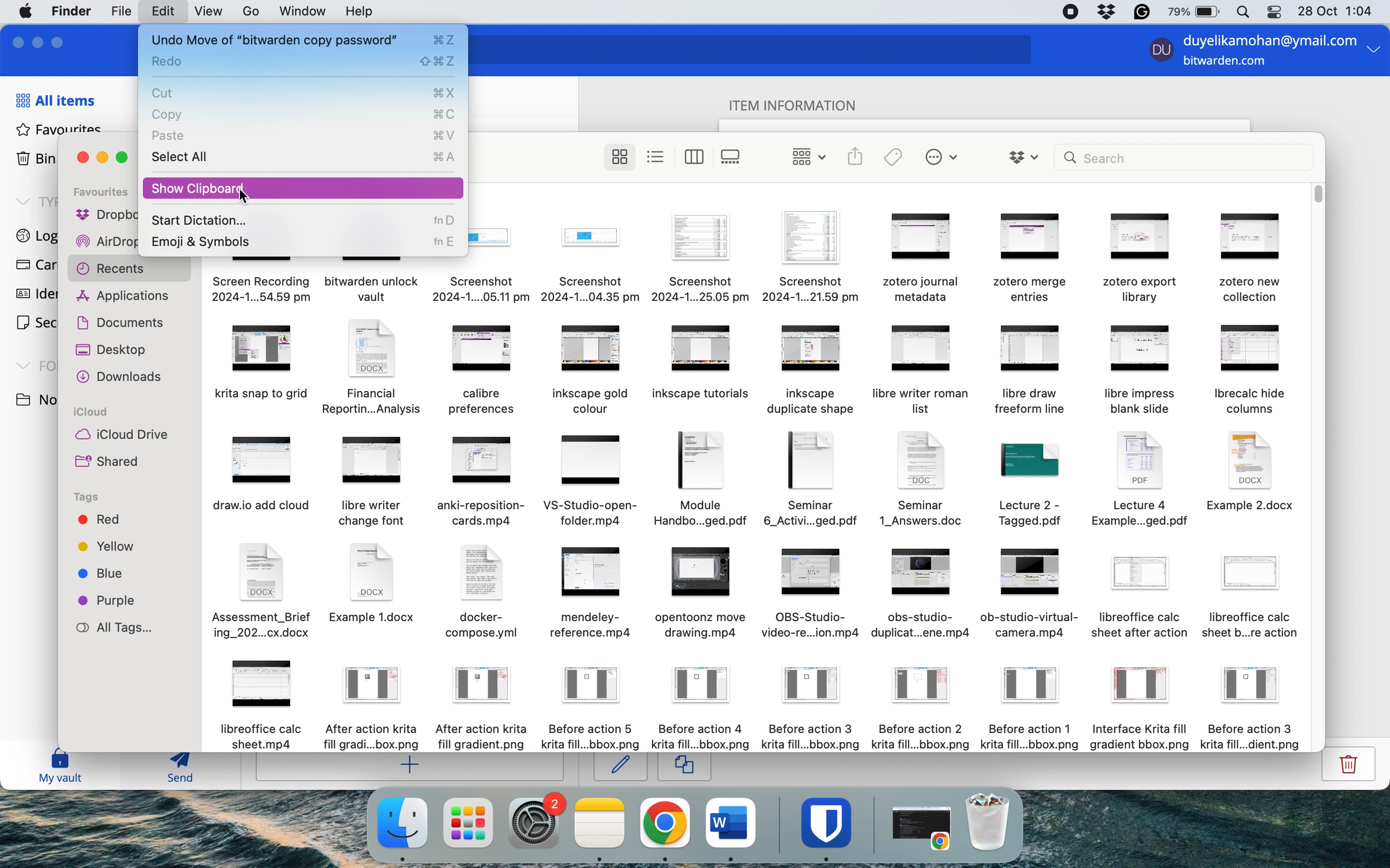 This screenshot has height=868, width=1390. I want to click on tags, so click(88, 498).